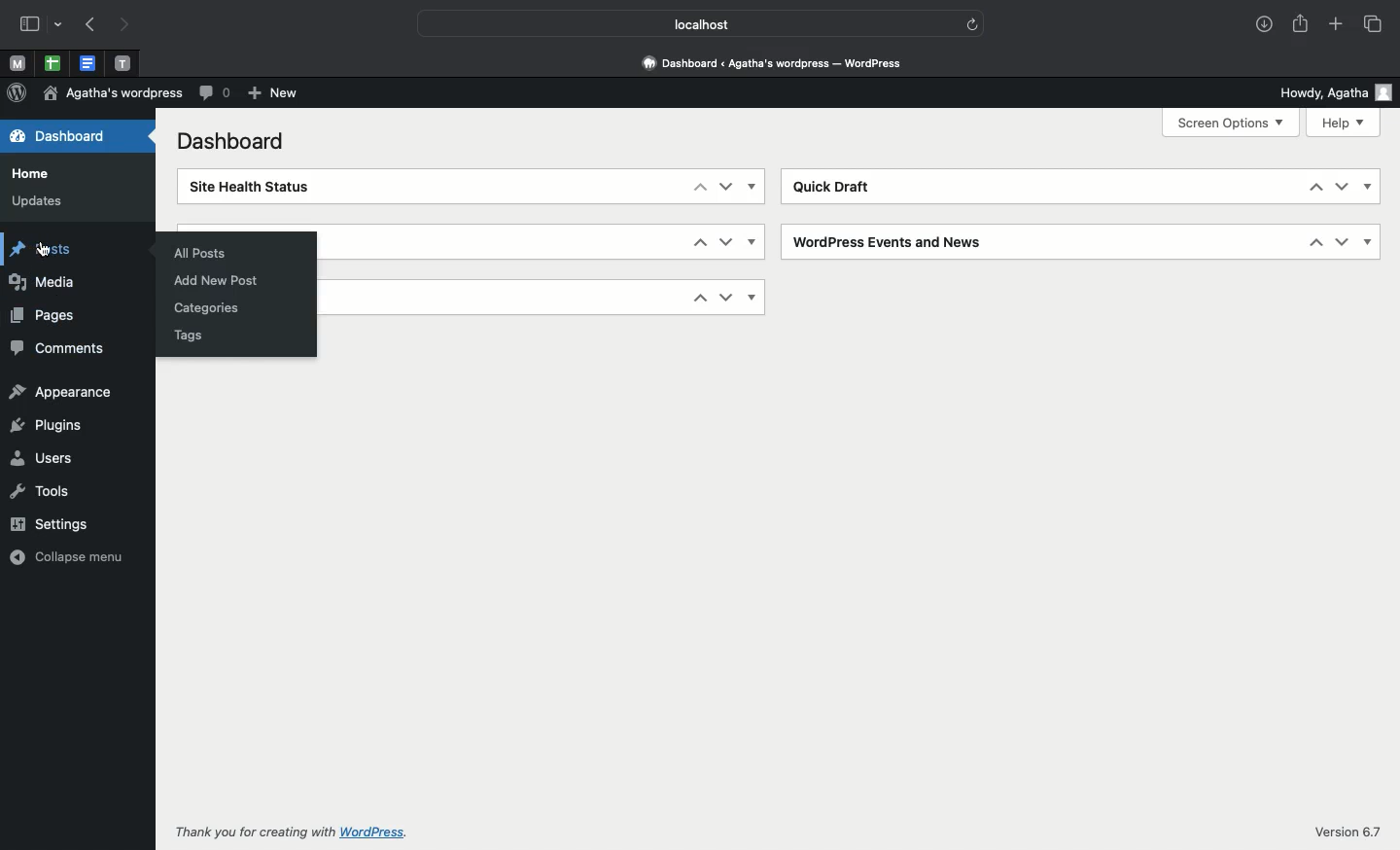  I want to click on Comments, so click(56, 348).